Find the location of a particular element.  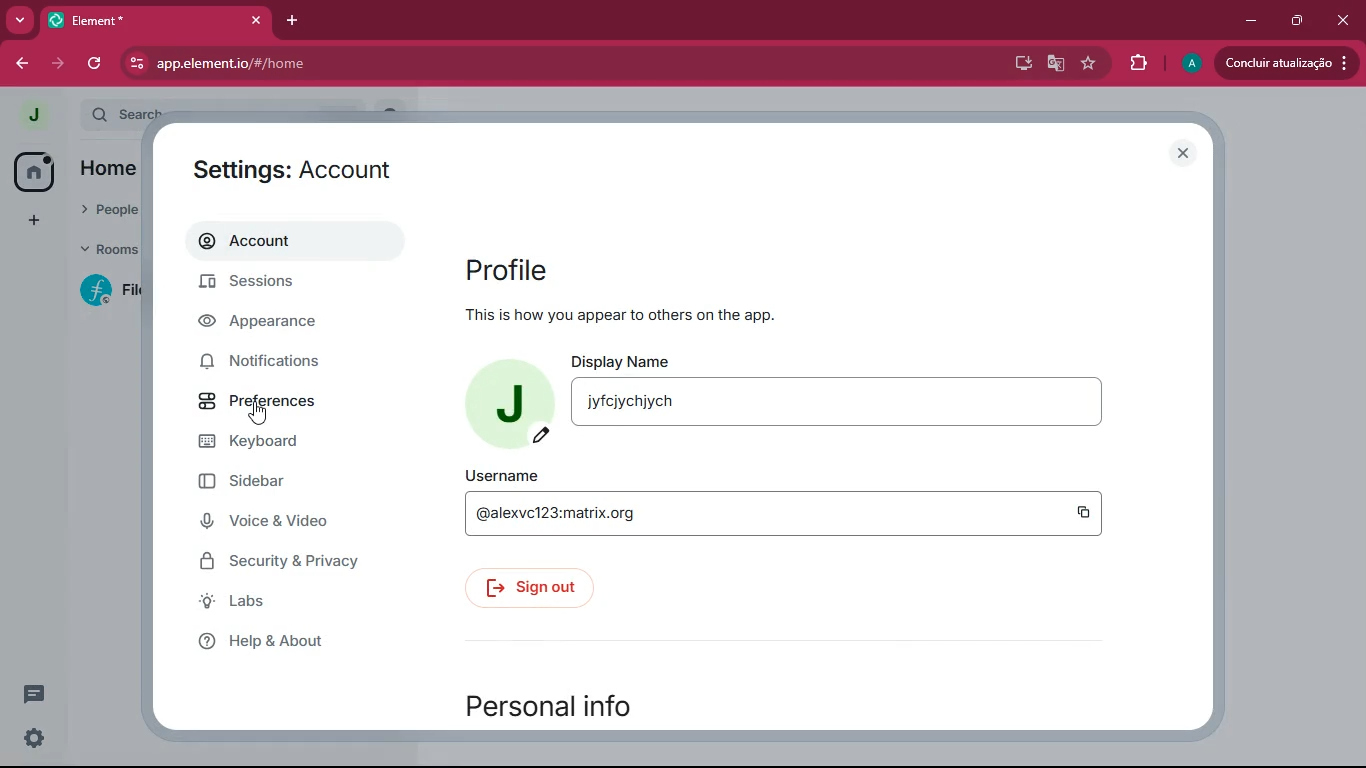

extensions is located at coordinates (1137, 64).